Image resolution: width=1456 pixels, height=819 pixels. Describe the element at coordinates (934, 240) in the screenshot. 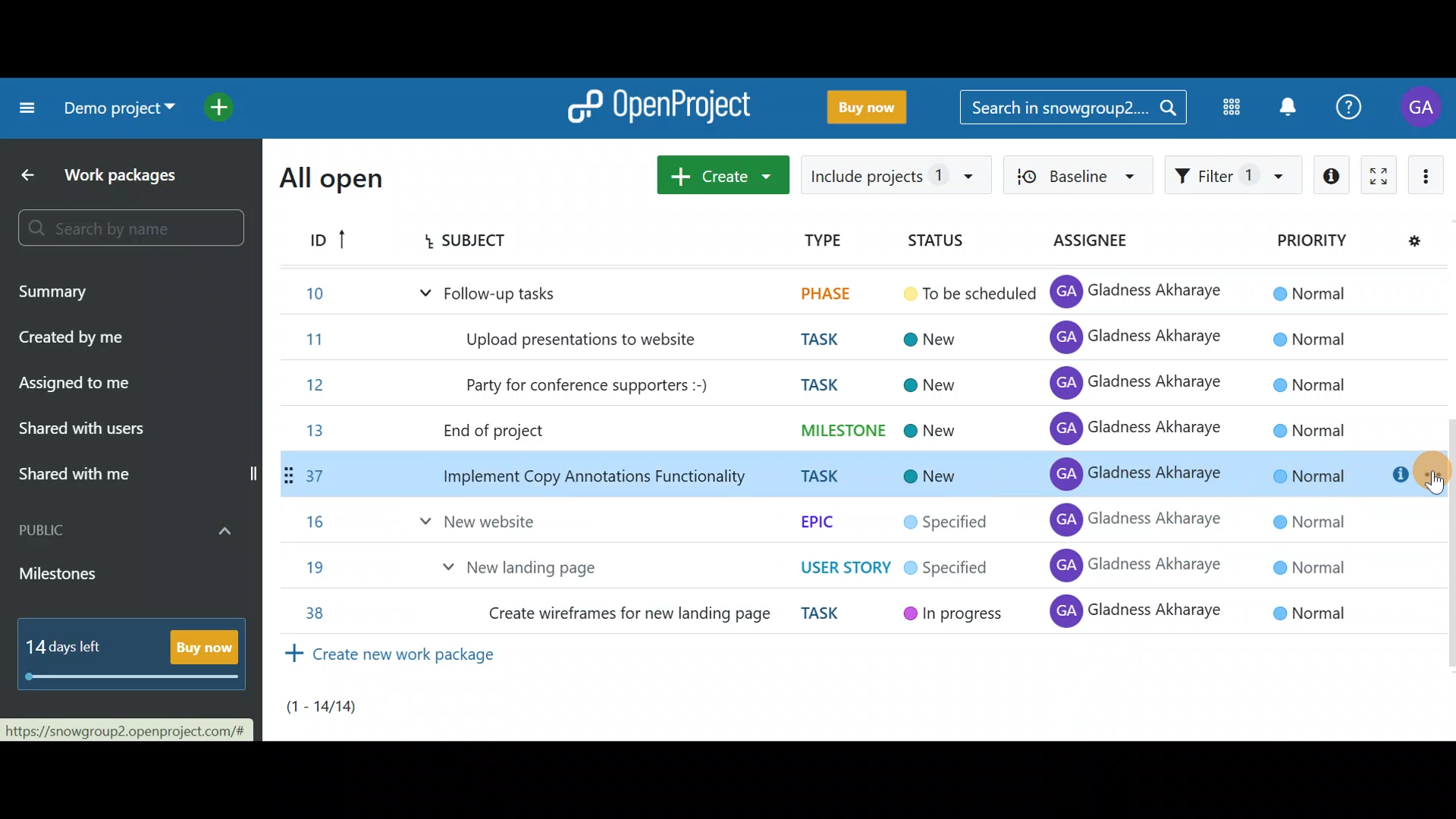

I see `Status` at that location.